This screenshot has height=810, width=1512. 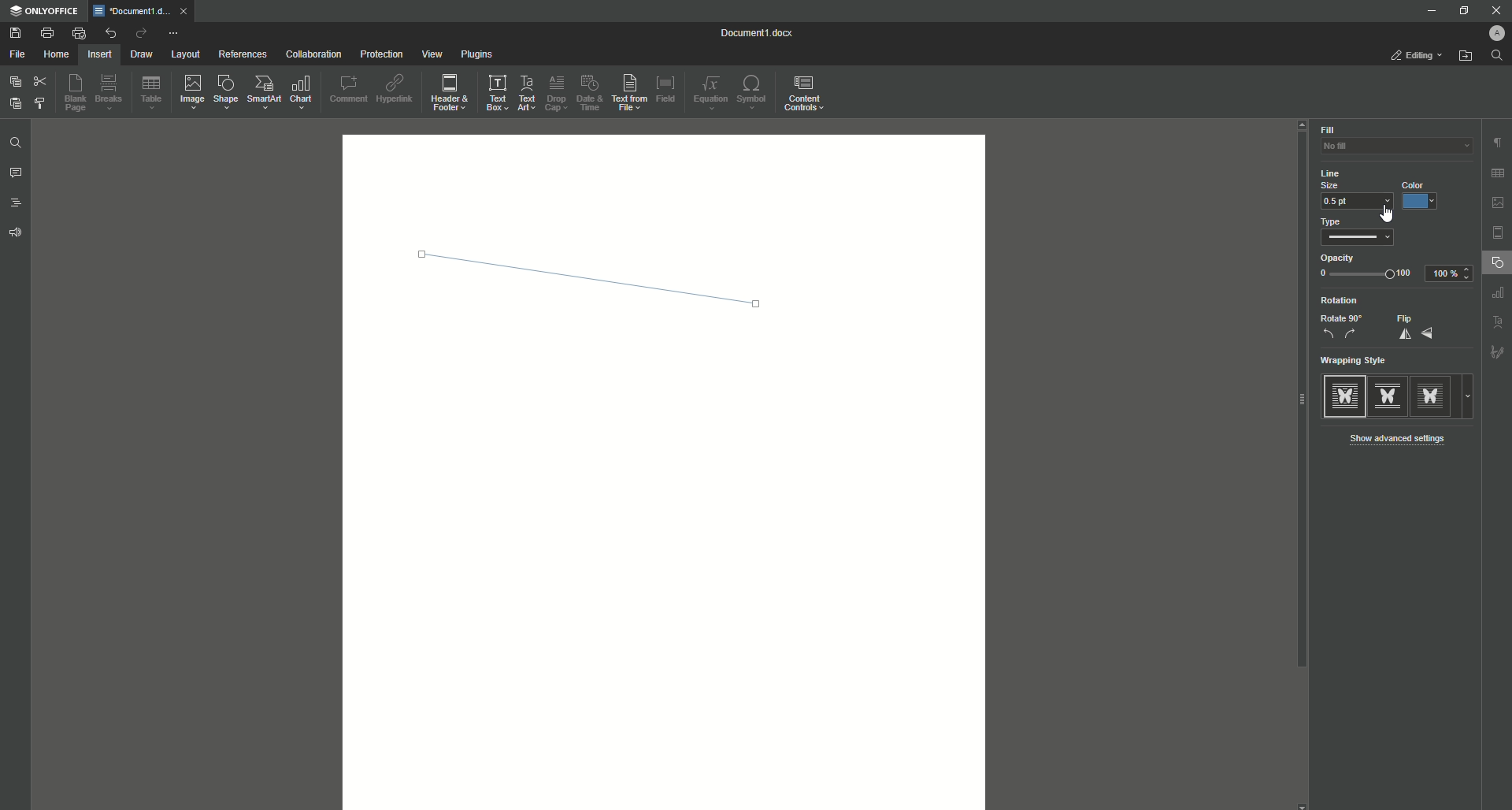 What do you see at coordinates (1427, 10) in the screenshot?
I see `Minimize` at bounding box center [1427, 10].